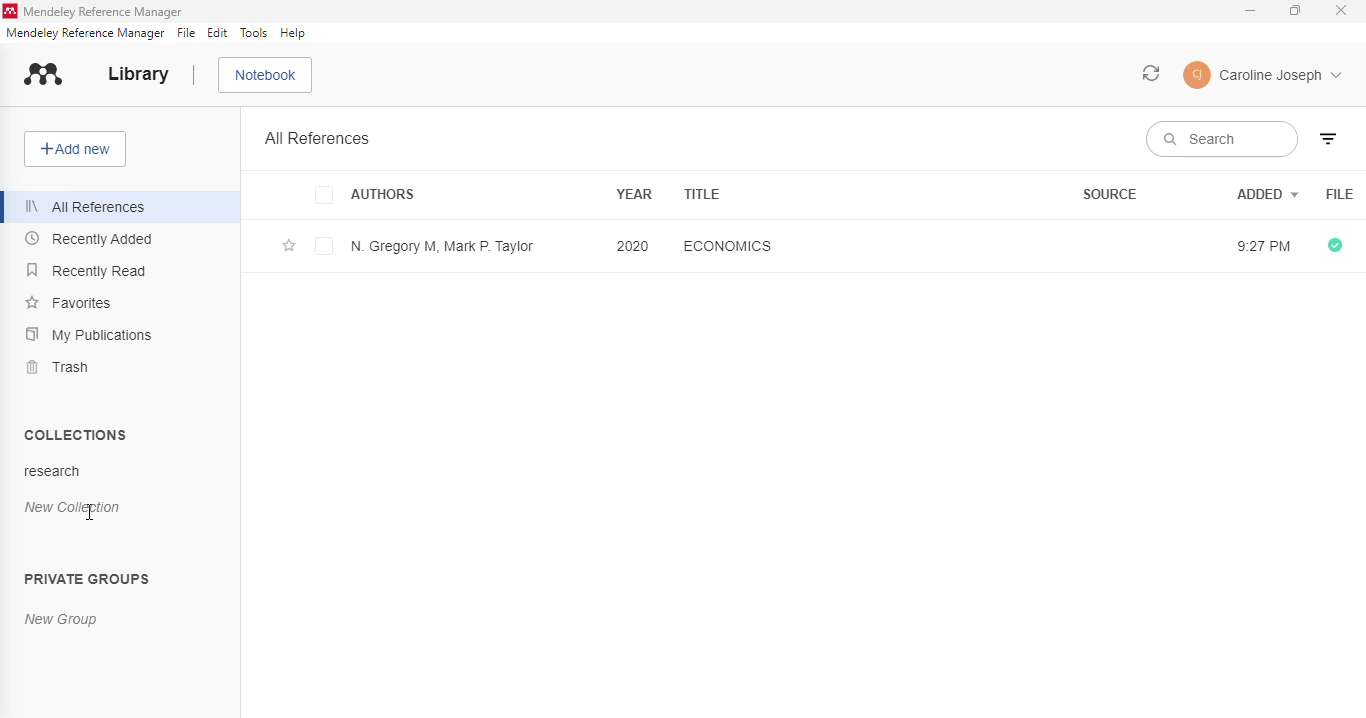  Describe the element at coordinates (1335, 246) in the screenshot. I see `all files downloaded` at that location.